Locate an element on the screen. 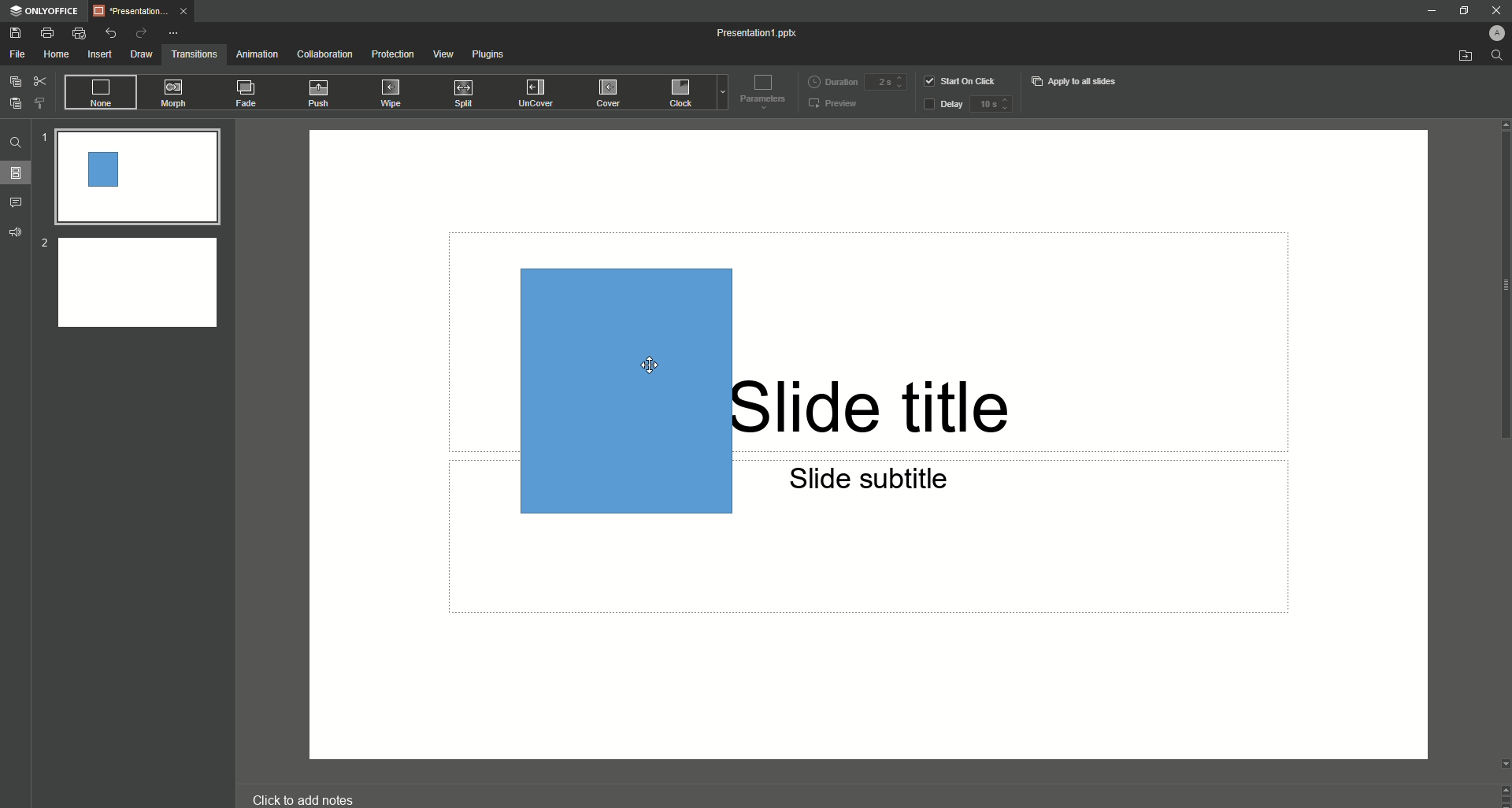 This screenshot has width=1512, height=808. Slides is located at coordinates (16, 172).